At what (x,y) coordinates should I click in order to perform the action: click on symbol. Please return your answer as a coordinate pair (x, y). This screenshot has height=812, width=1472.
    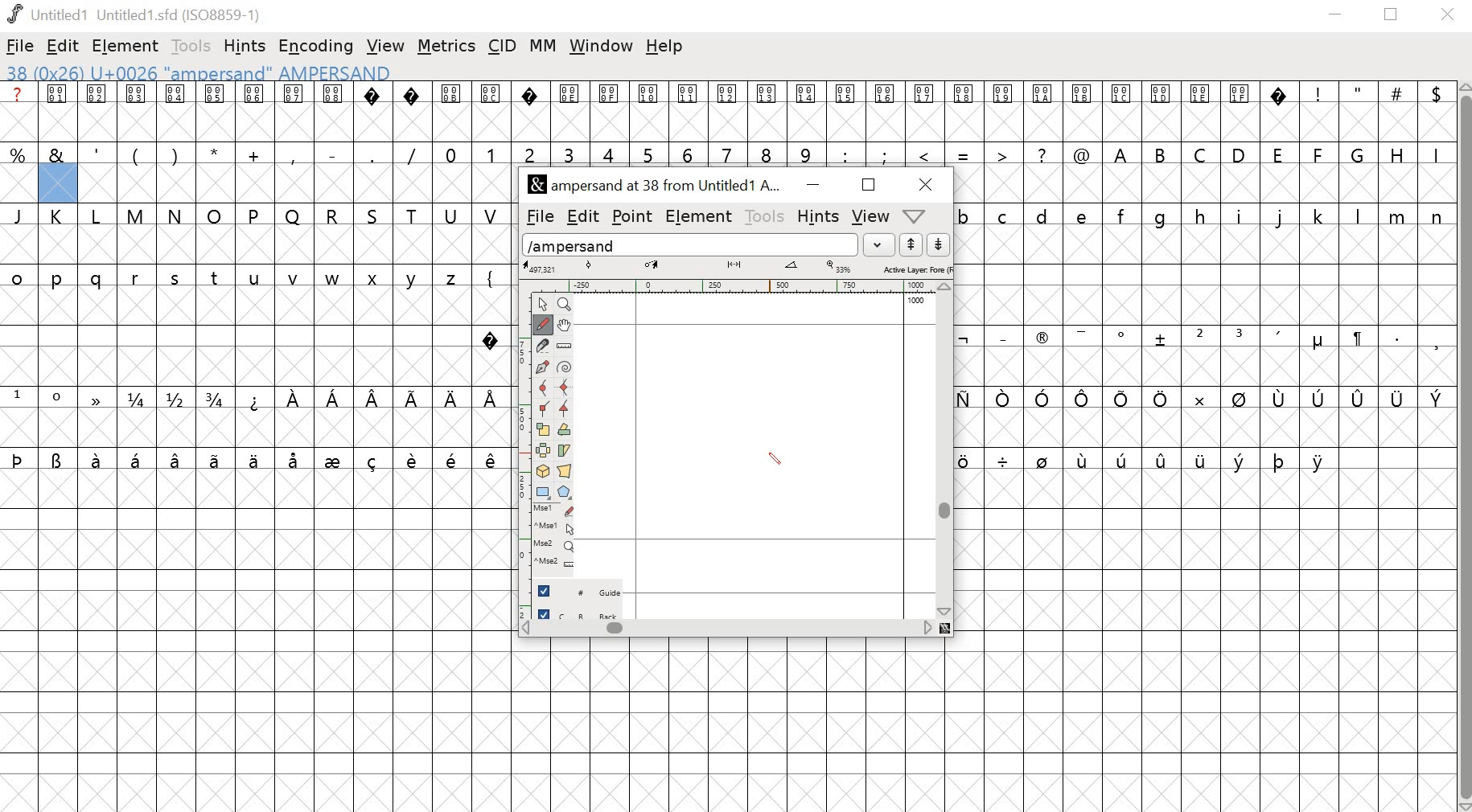
    Looking at the image, I should click on (1162, 338).